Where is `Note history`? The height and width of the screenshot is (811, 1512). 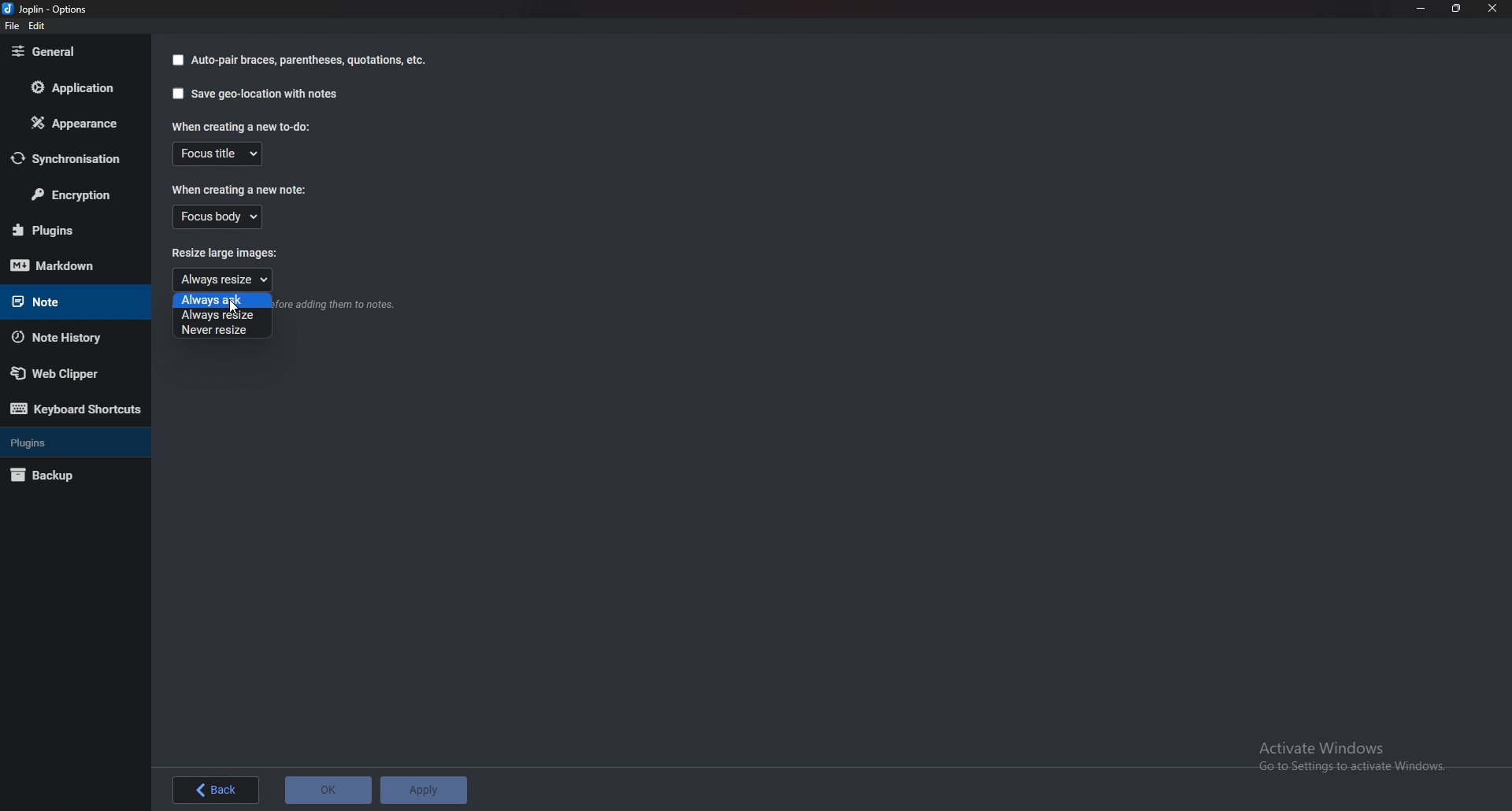
Note history is located at coordinates (65, 337).